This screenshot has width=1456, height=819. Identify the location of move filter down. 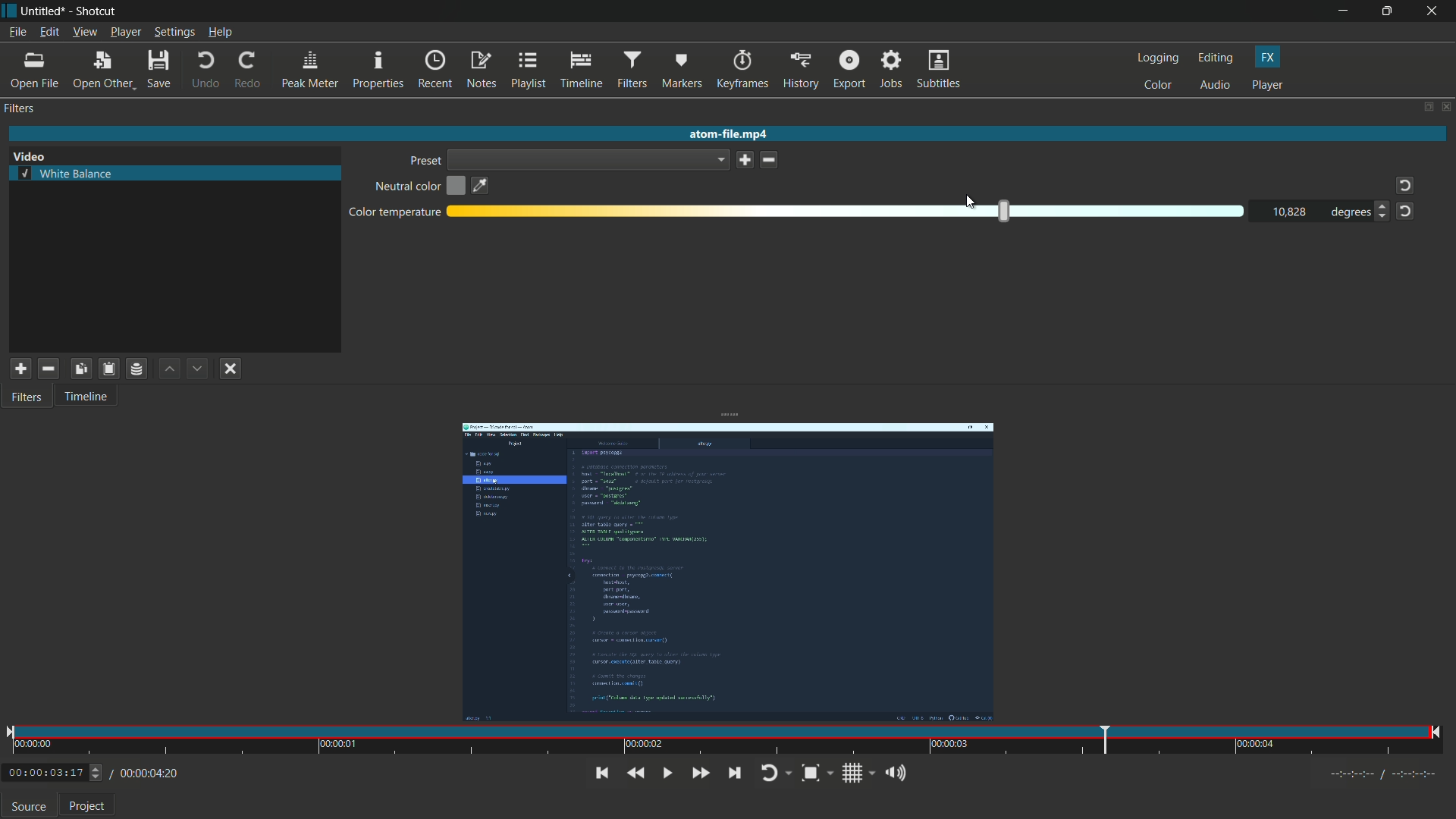
(199, 369).